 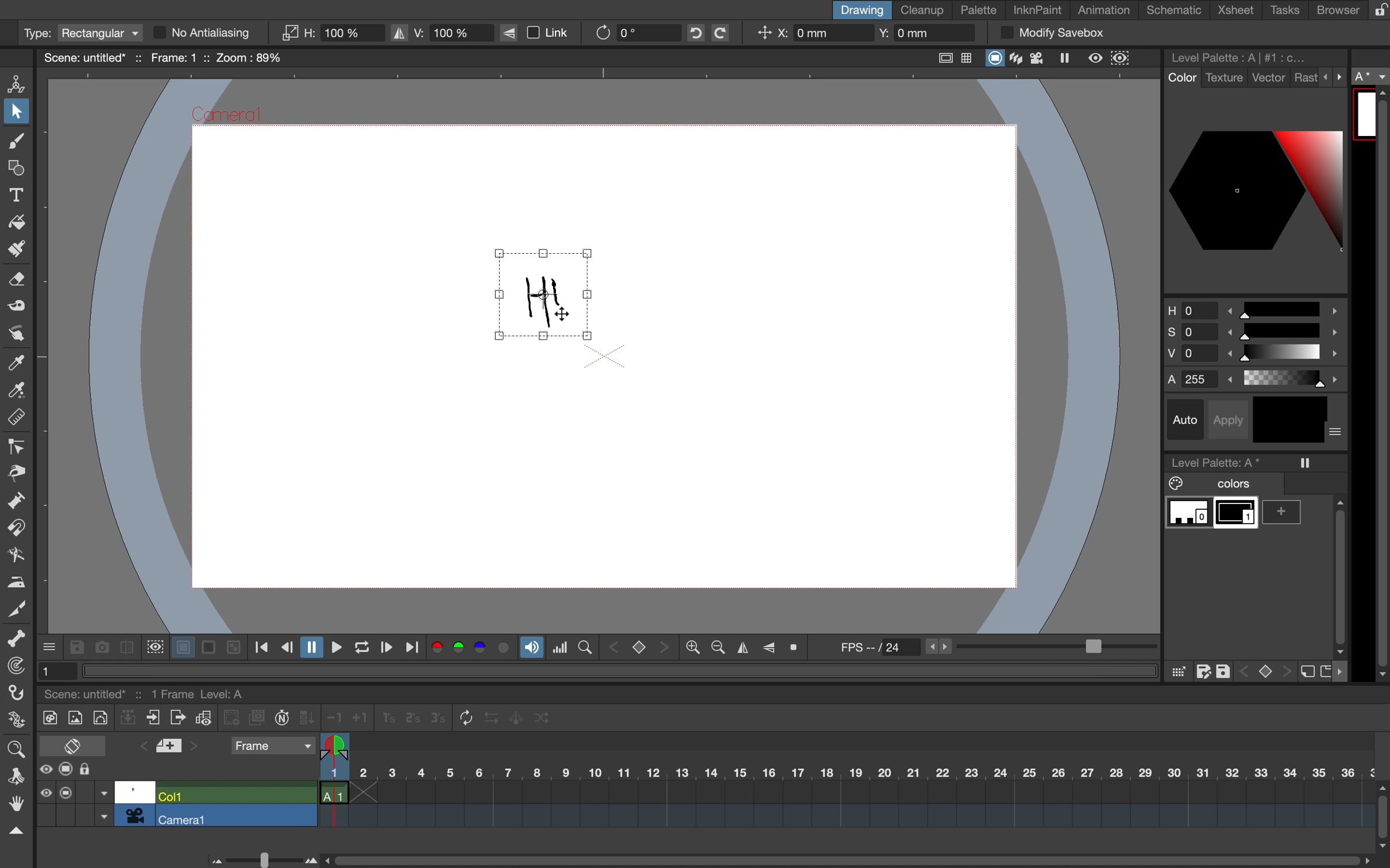 I want to click on hand tool, so click(x=15, y=805).